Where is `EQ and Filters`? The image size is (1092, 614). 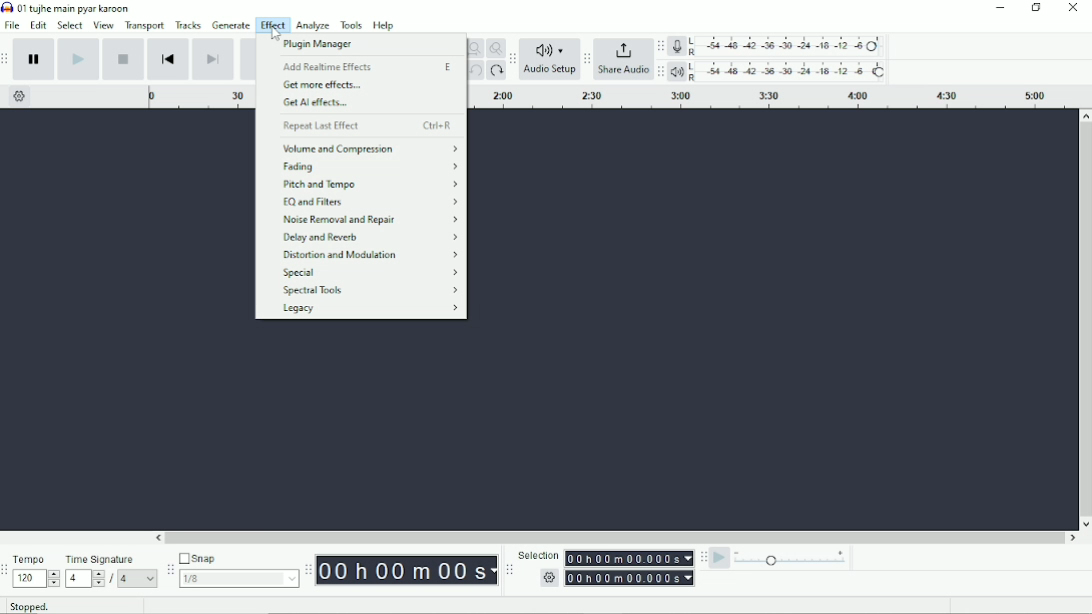 EQ and Filters is located at coordinates (371, 202).